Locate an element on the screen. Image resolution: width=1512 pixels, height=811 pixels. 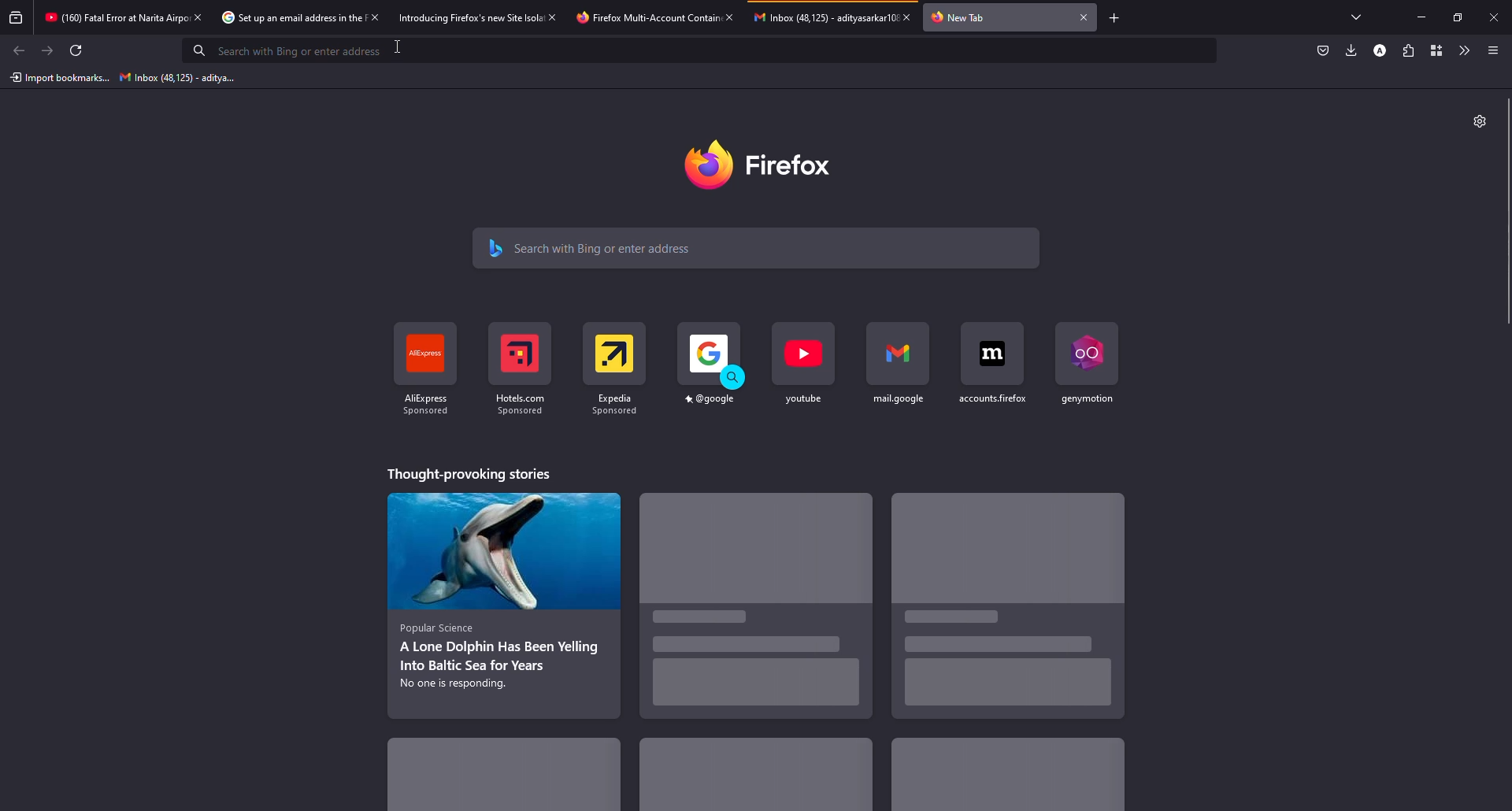
stories is located at coordinates (502, 604).